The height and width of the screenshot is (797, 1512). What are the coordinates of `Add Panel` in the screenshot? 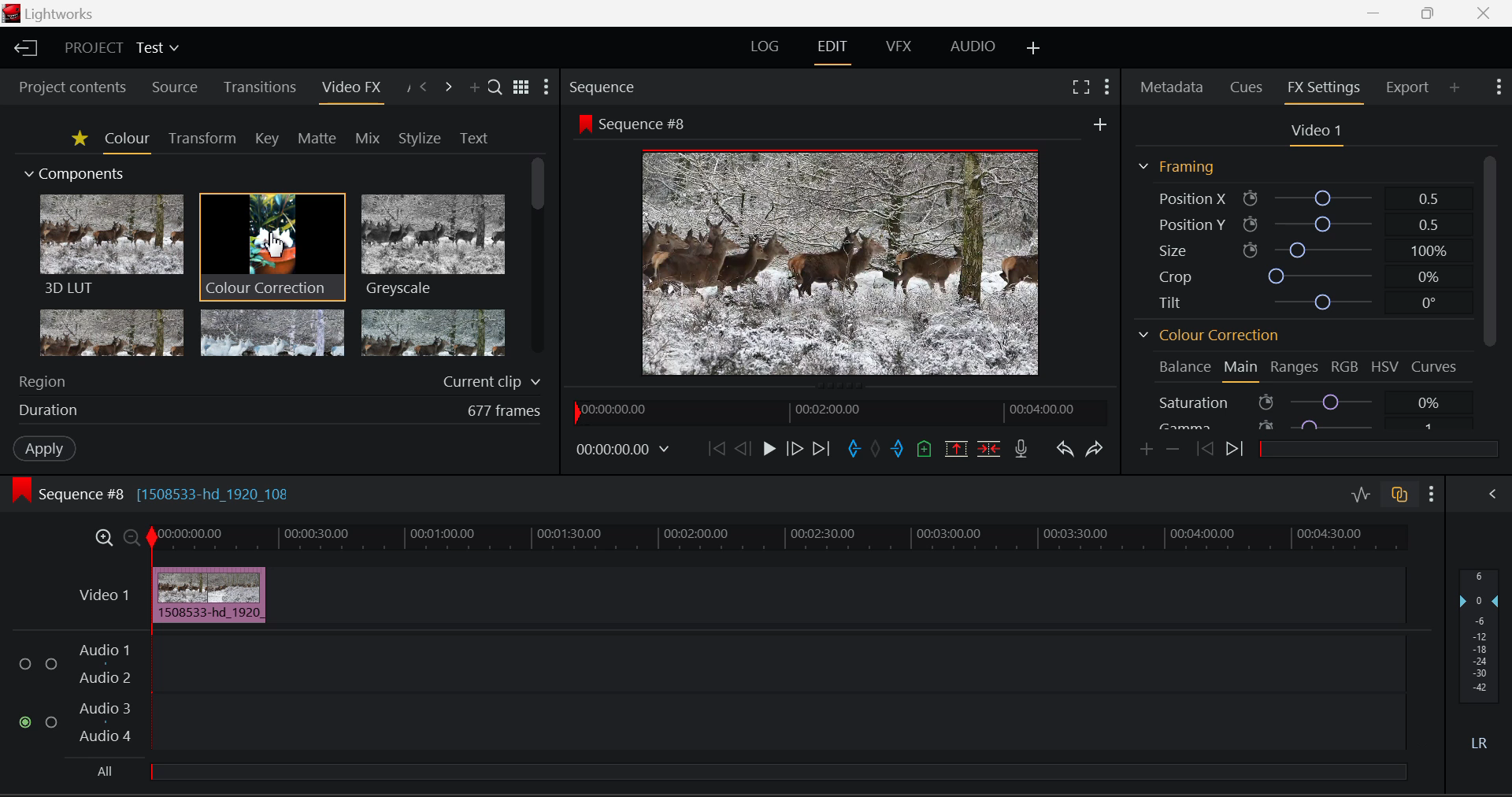 It's located at (1454, 85).